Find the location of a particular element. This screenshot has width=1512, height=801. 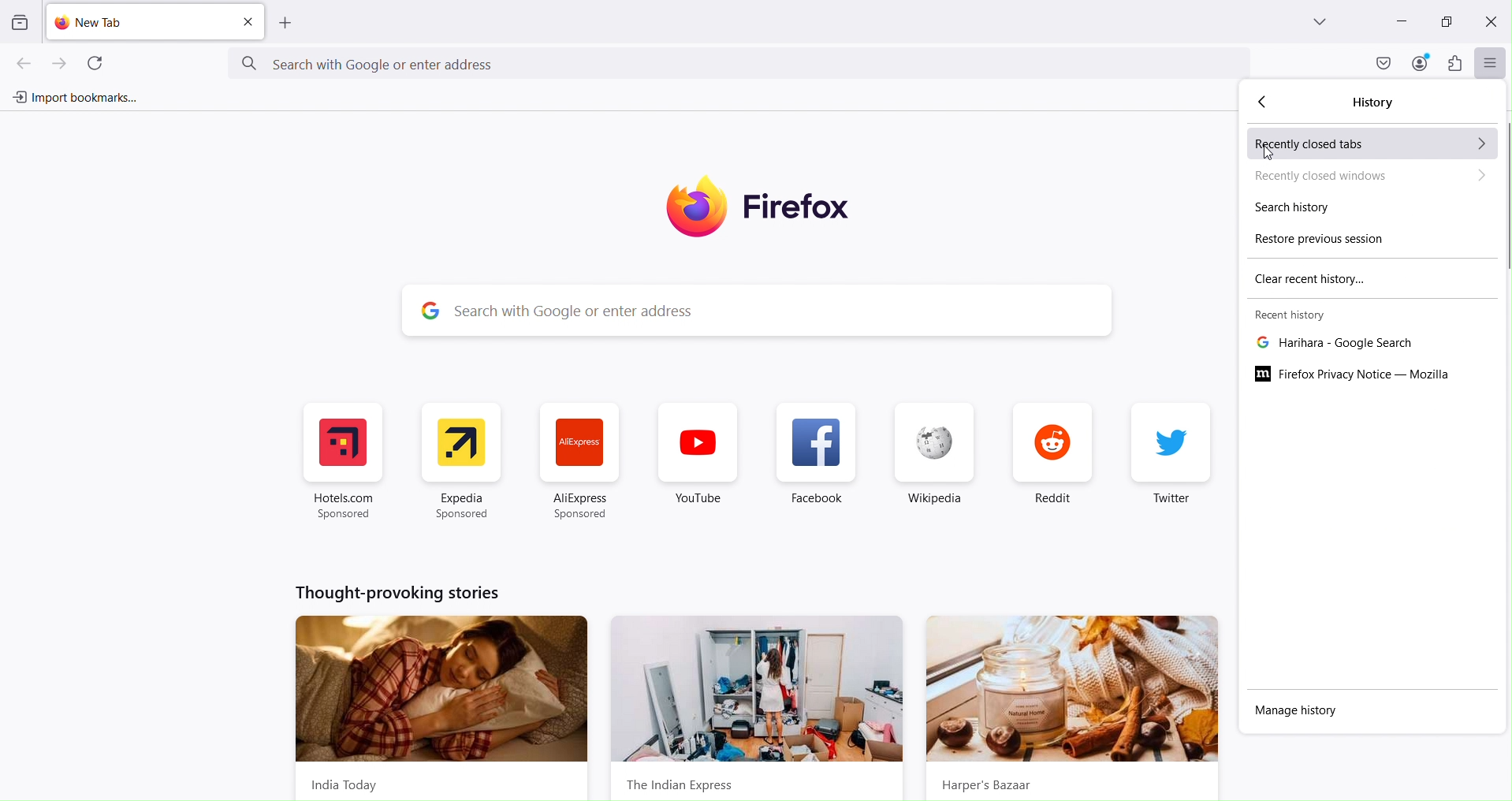

Import bookmarks is located at coordinates (73, 98).